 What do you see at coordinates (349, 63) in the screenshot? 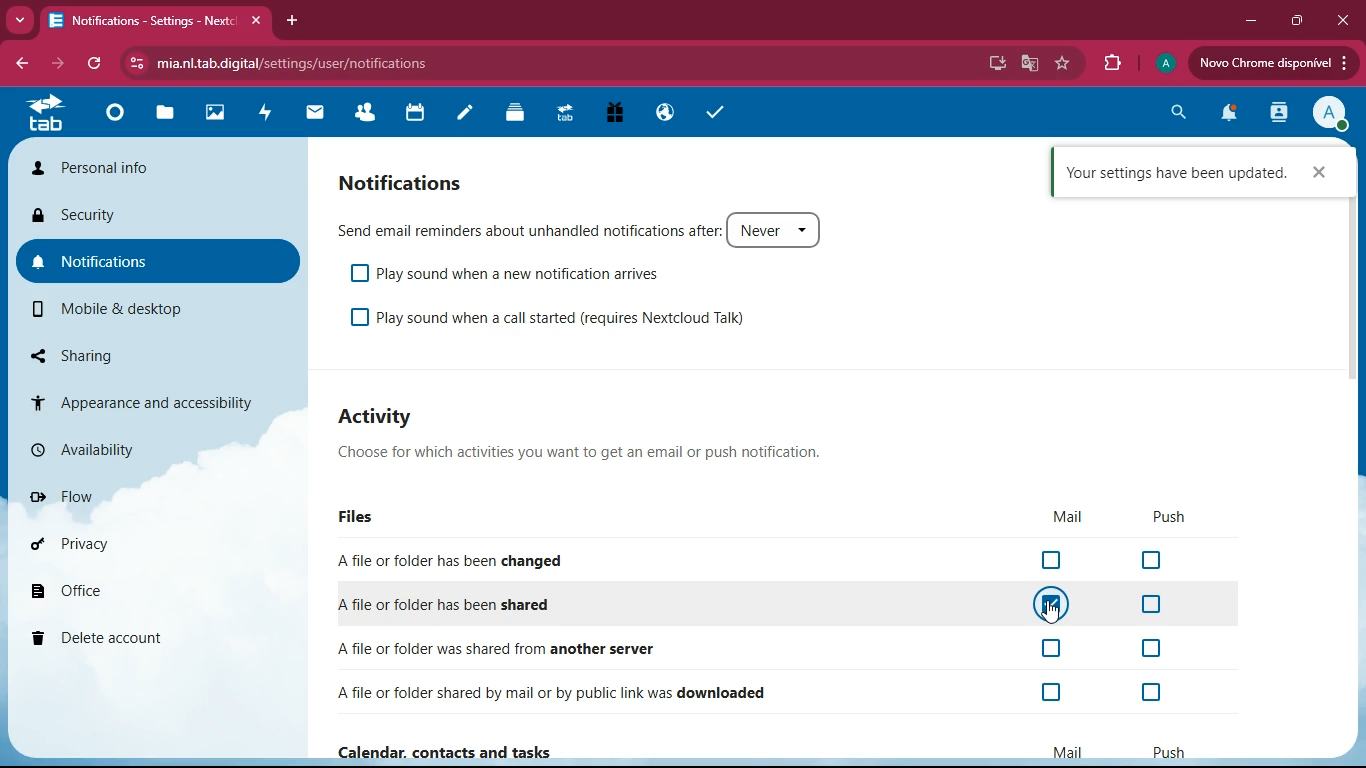
I see `url` at bounding box center [349, 63].